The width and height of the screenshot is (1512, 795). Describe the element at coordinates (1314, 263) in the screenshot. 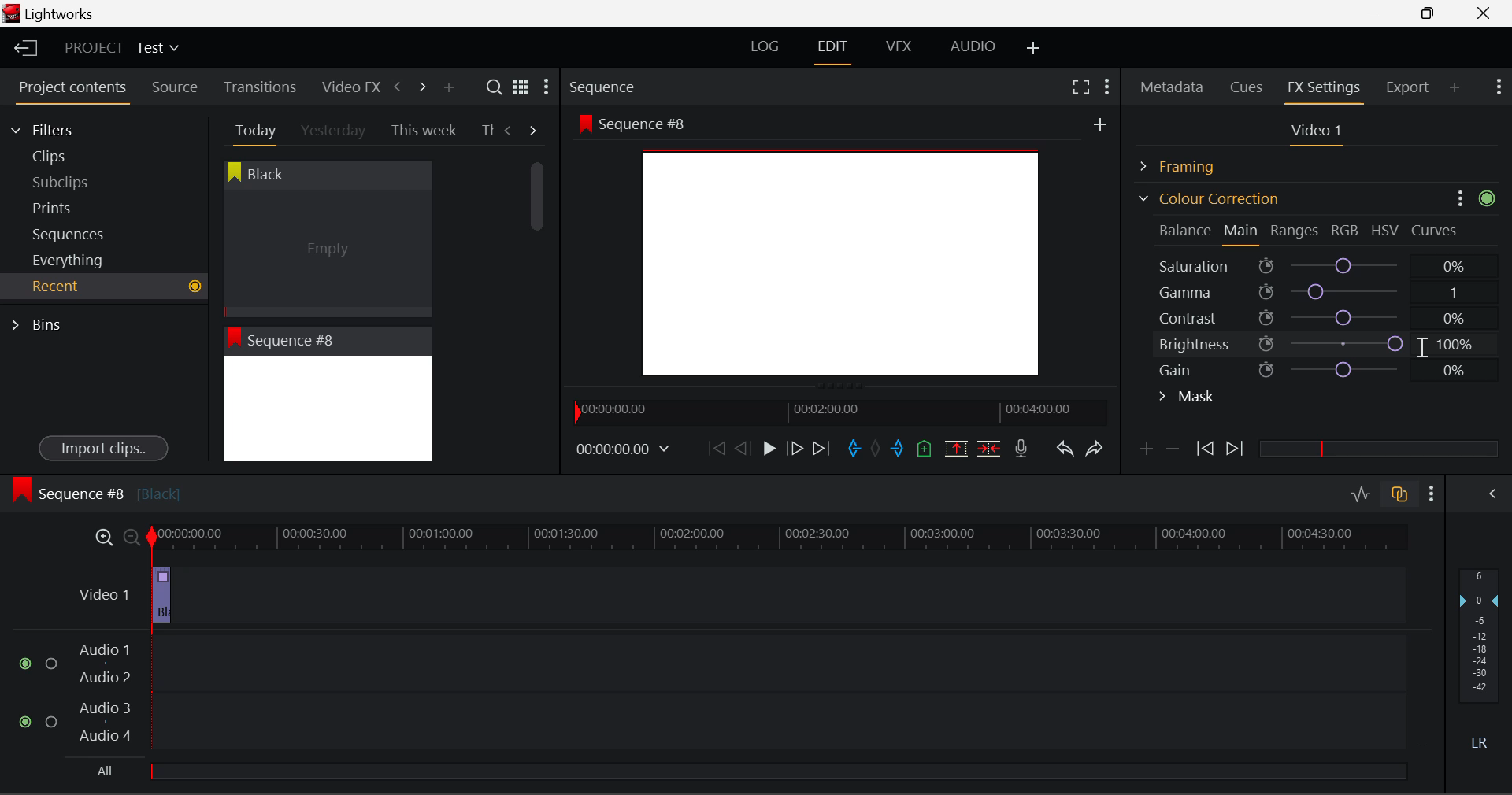

I see `Saturation` at that location.